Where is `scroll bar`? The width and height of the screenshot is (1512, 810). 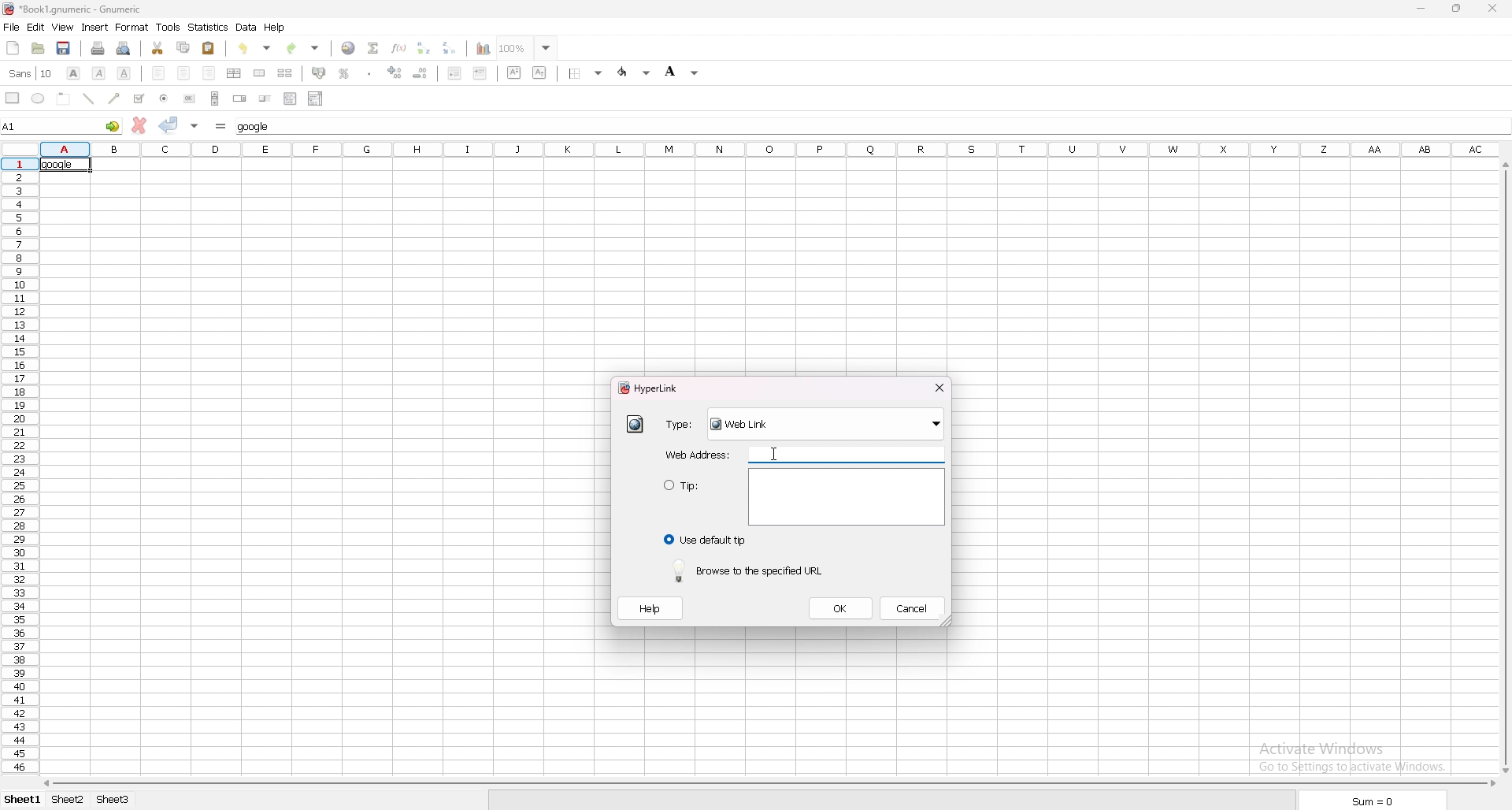
scroll bar is located at coordinates (768, 783).